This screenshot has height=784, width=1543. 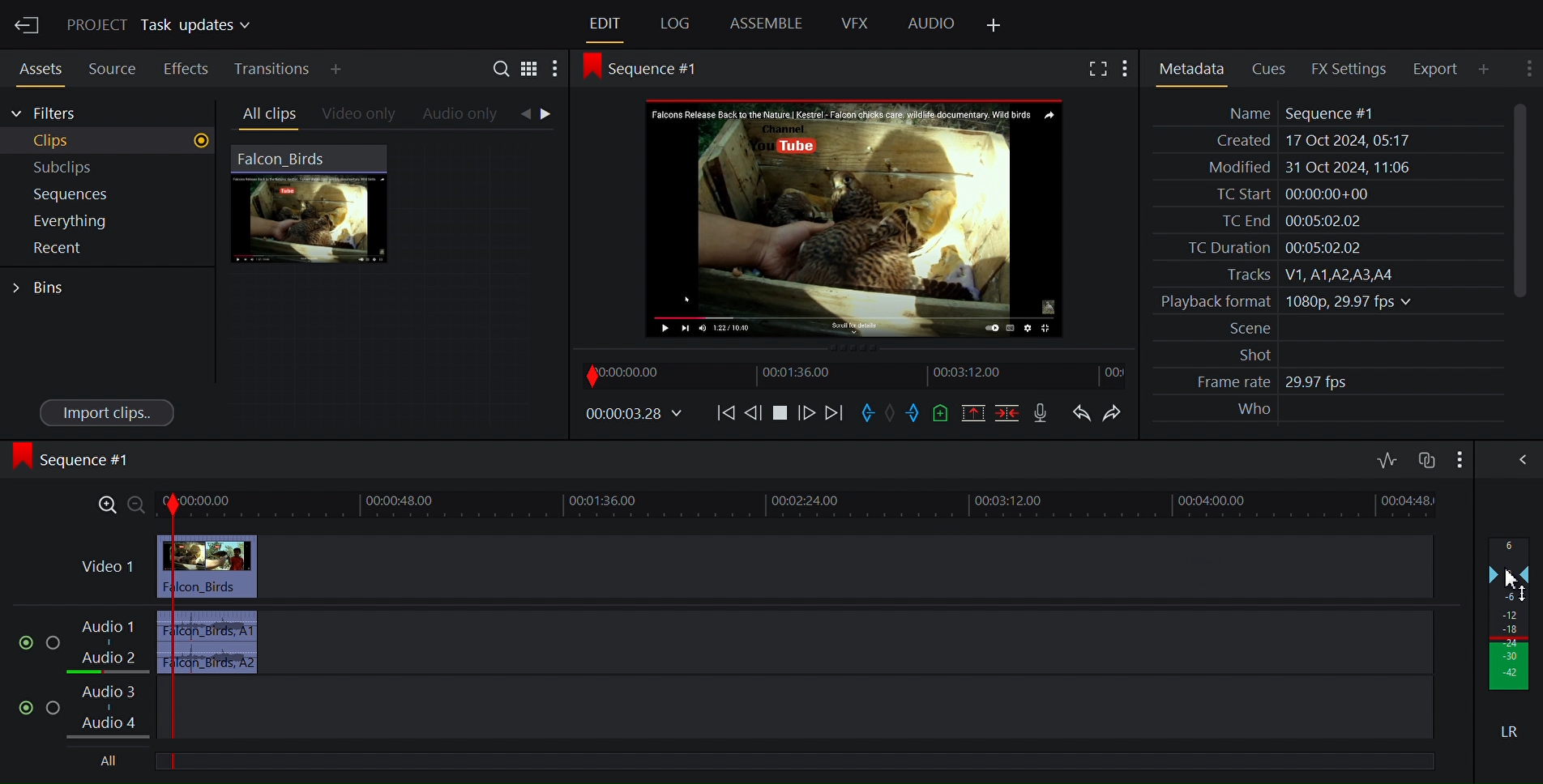 What do you see at coordinates (530, 67) in the screenshot?
I see `Toggle between list and tile view` at bounding box center [530, 67].